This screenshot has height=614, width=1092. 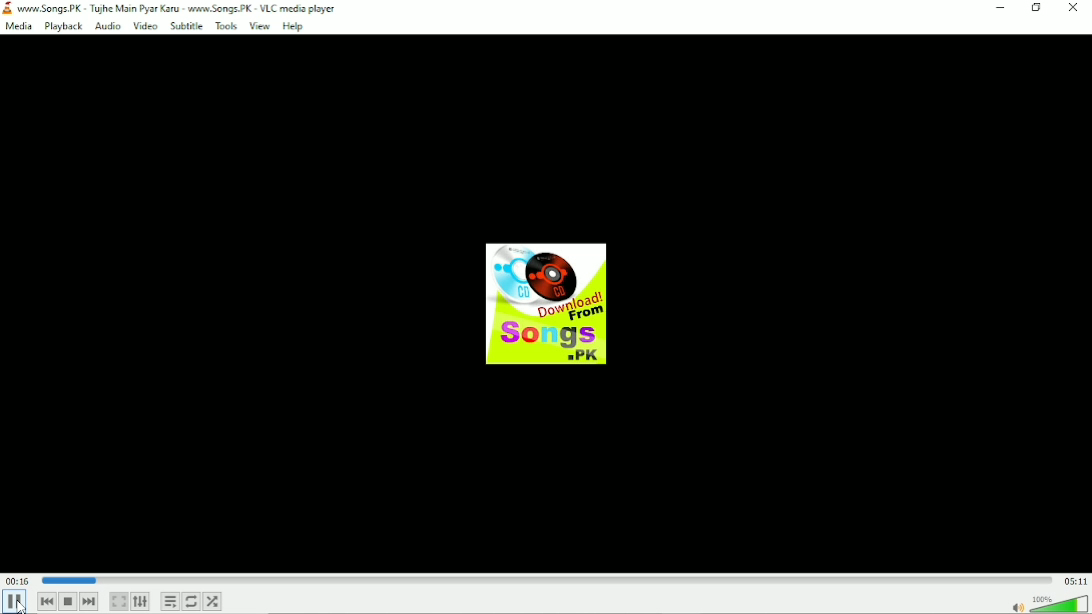 I want to click on Next, so click(x=91, y=602).